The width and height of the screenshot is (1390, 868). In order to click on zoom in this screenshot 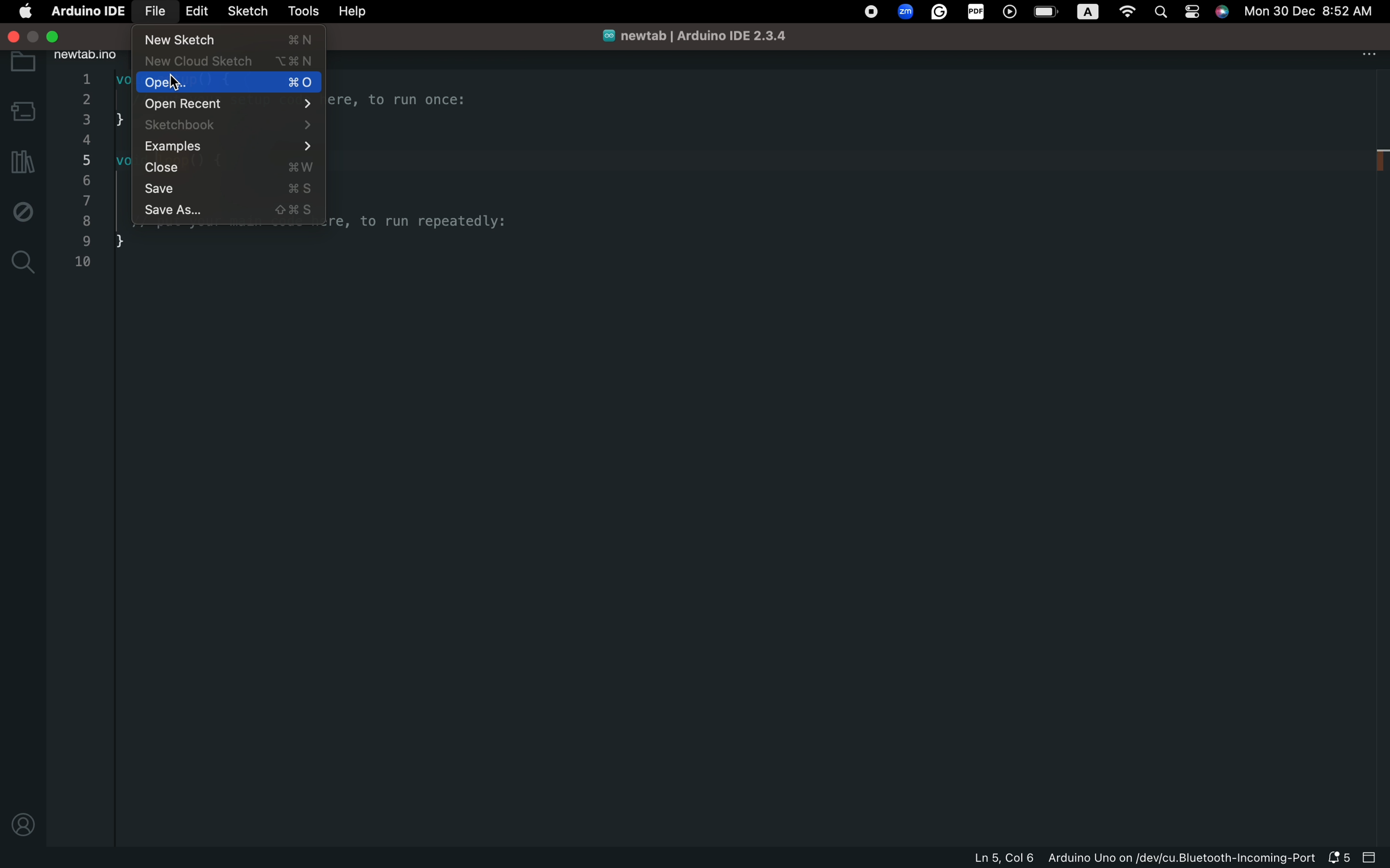, I will do `click(906, 13)`.